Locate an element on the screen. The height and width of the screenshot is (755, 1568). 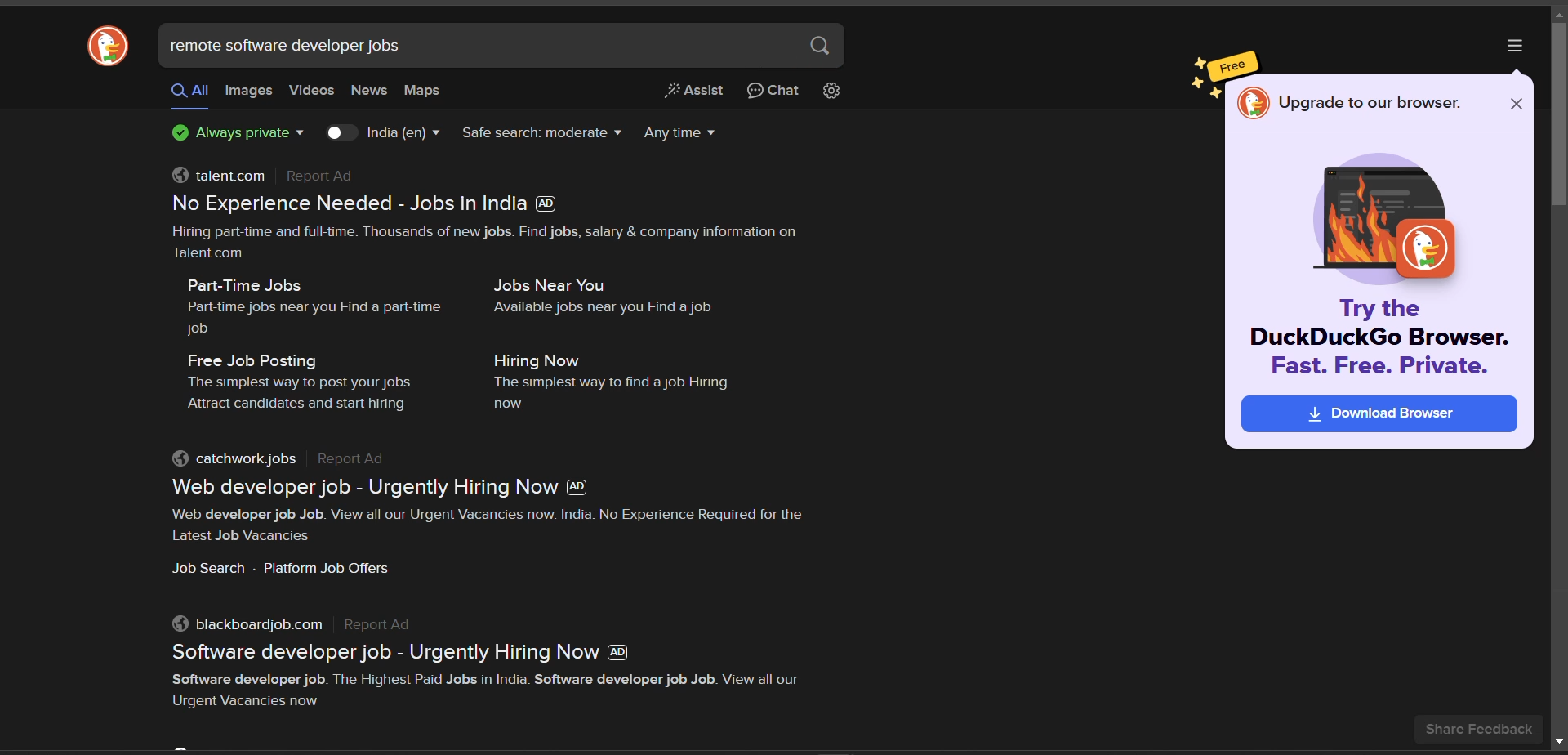
Job Search - Platform Job Offers is located at coordinates (286, 571).